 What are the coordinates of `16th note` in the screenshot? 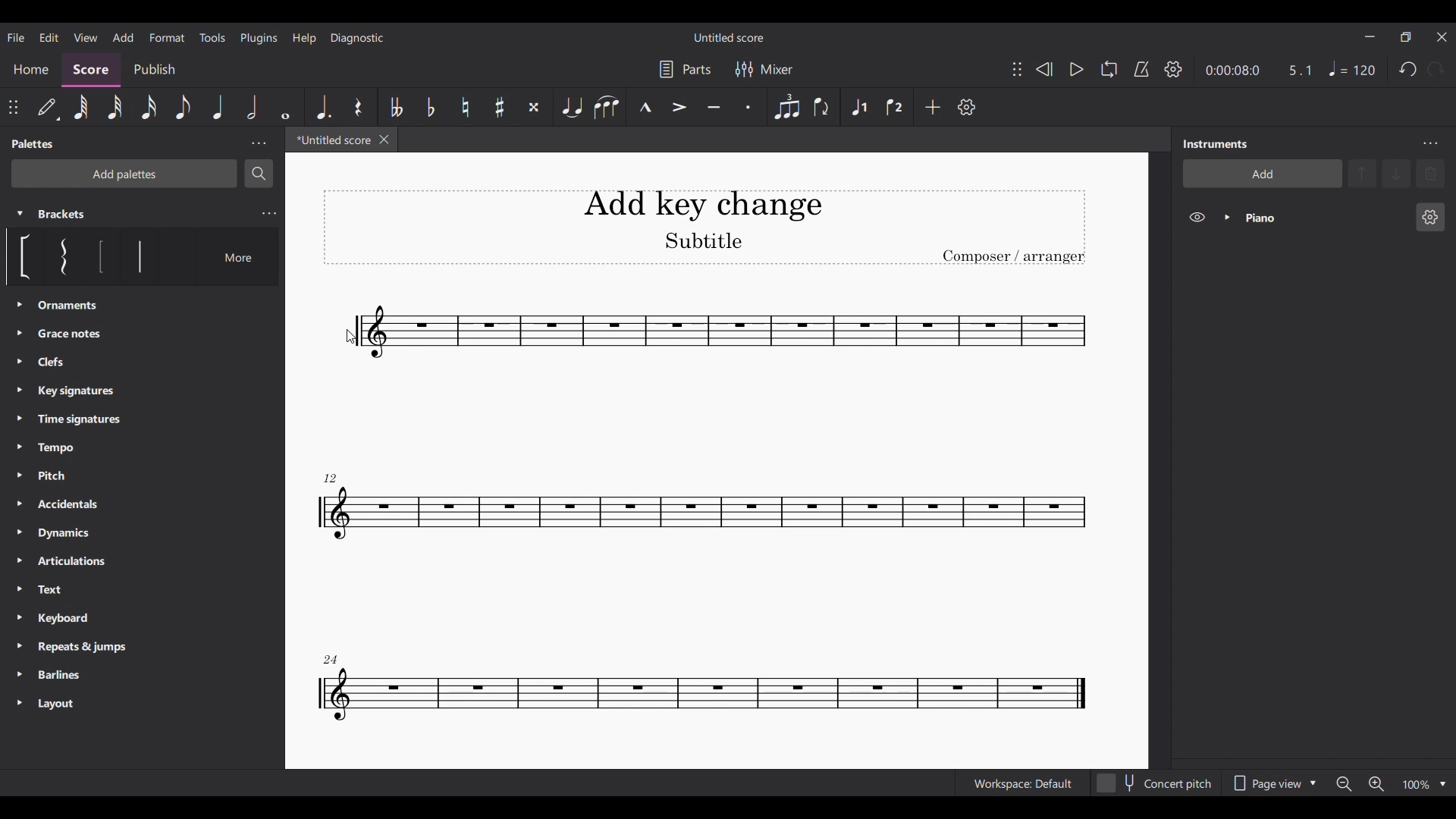 It's located at (149, 108).